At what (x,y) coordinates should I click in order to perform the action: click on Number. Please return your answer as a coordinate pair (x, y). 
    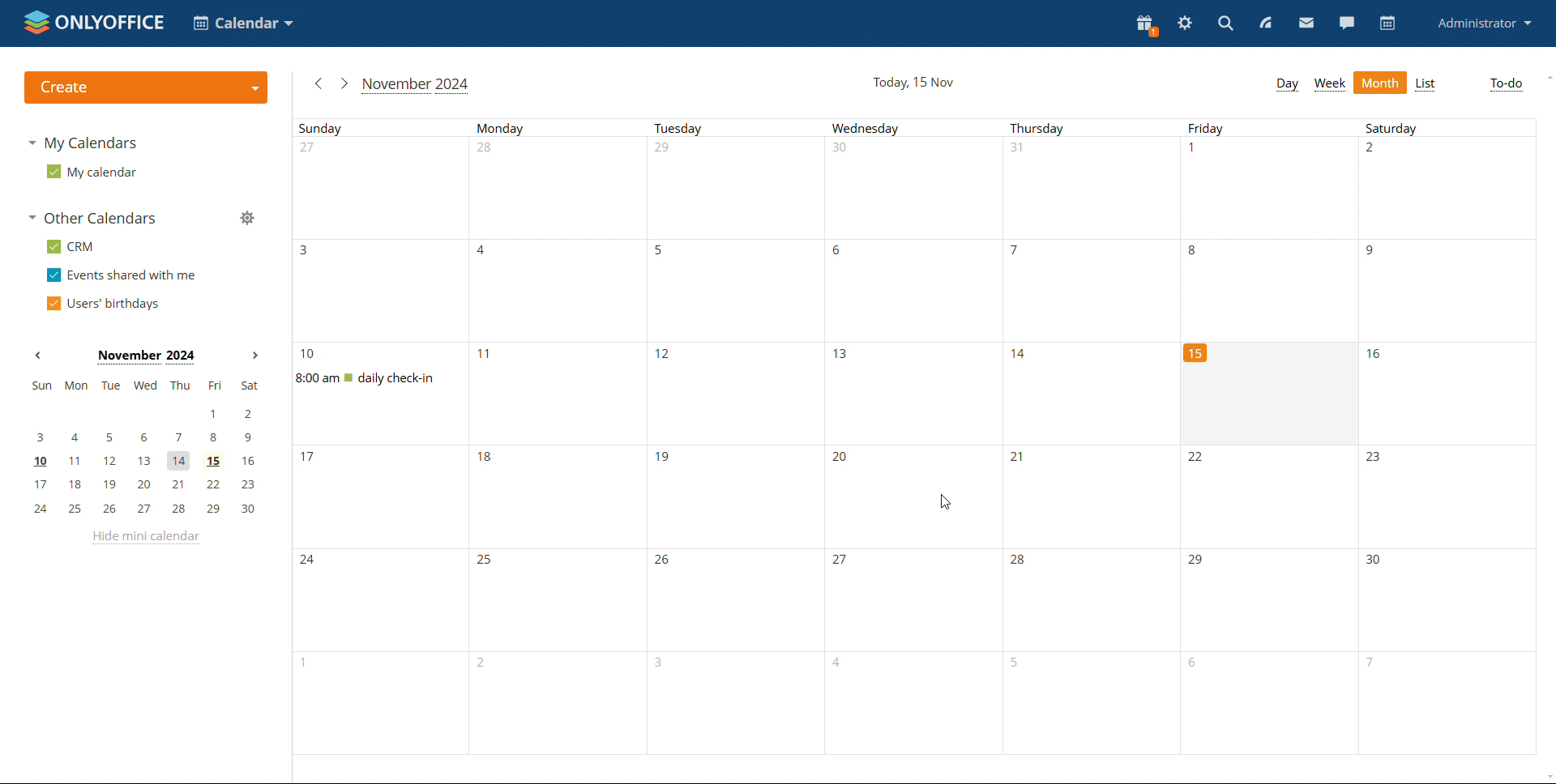
    Looking at the image, I should click on (310, 252).